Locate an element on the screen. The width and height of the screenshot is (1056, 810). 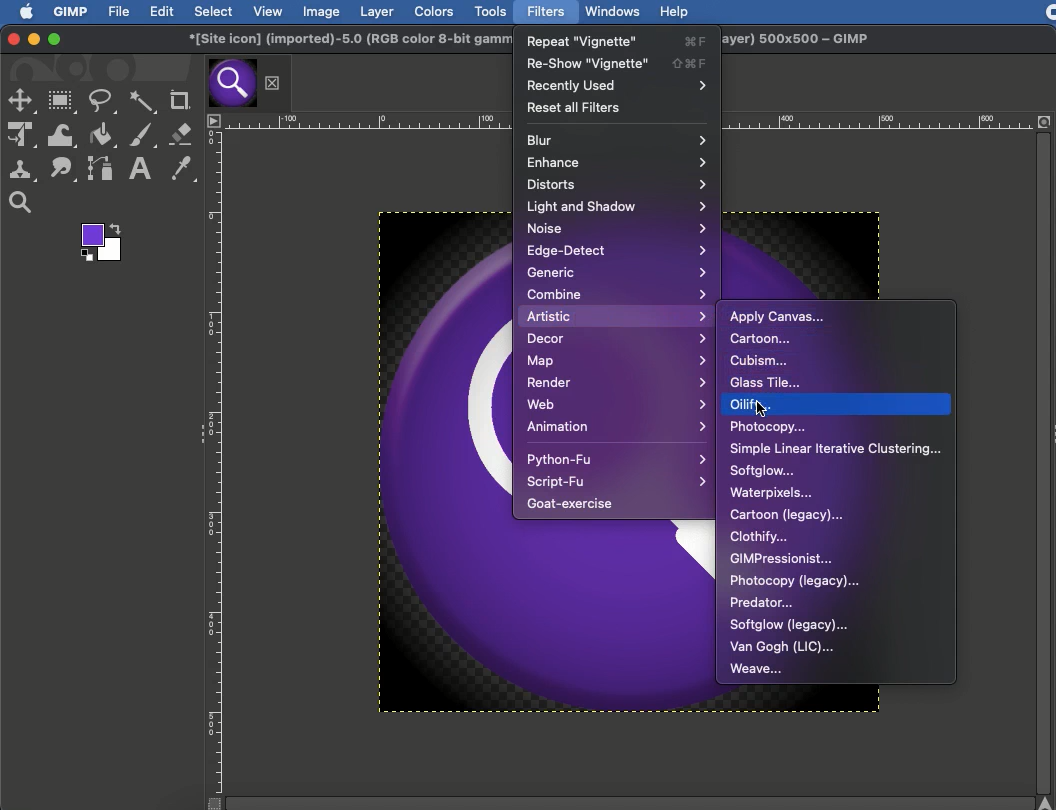
Tools is located at coordinates (491, 12).